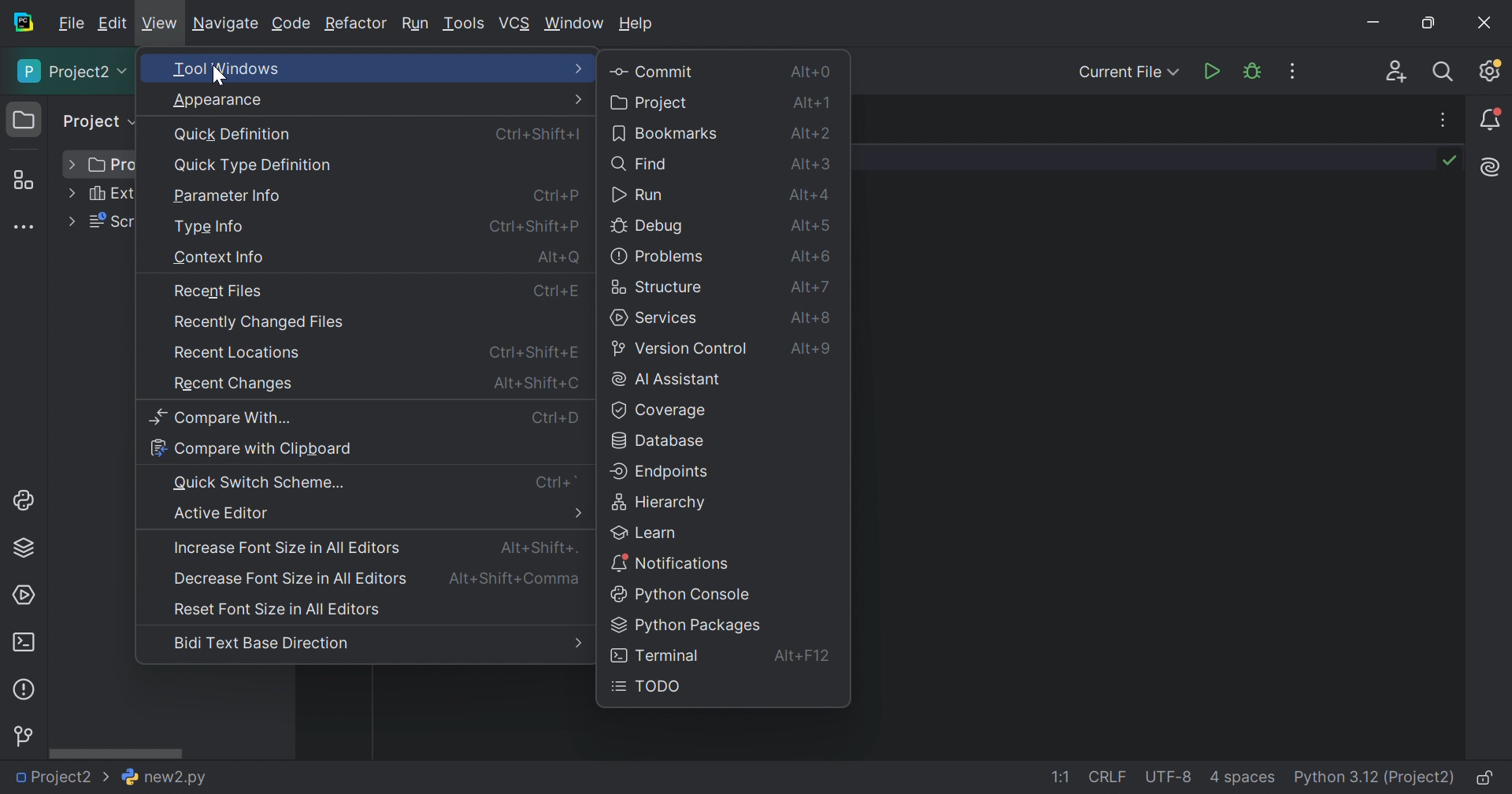  What do you see at coordinates (665, 135) in the screenshot?
I see `Bookmarks` at bounding box center [665, 135].